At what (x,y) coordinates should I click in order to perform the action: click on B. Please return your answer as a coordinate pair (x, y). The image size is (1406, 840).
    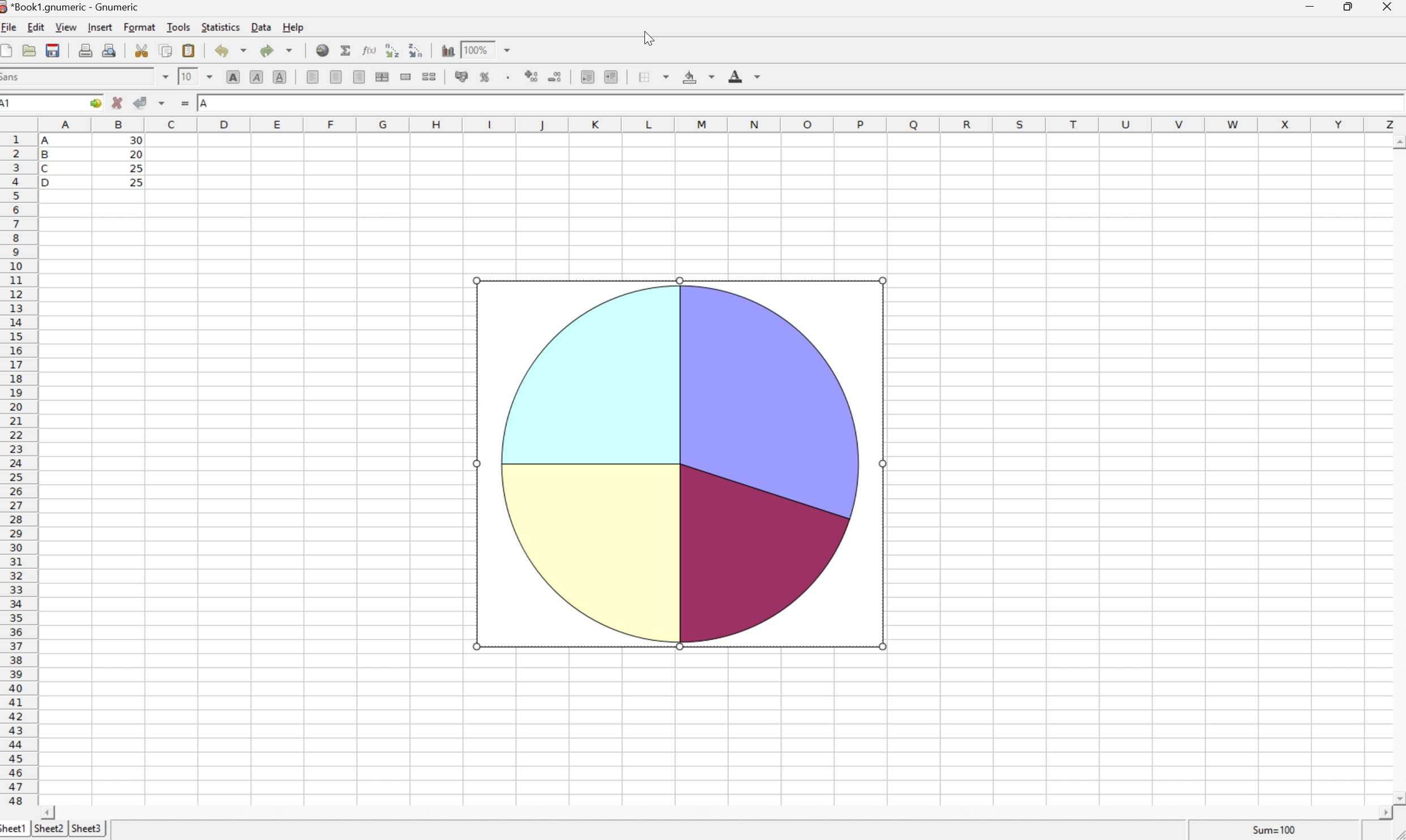
    Looking at the image, I should click on (49, 156).